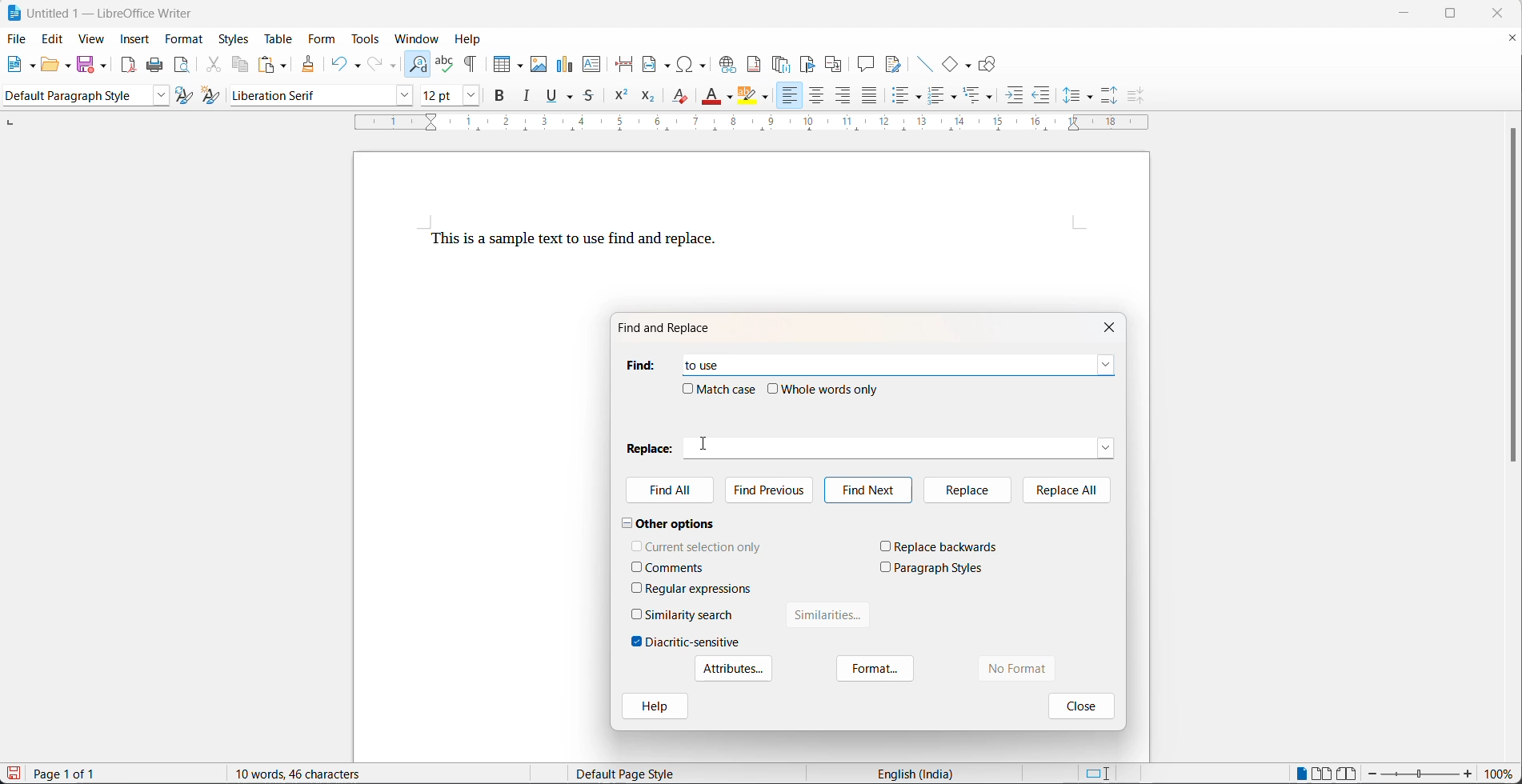 The image size is (1522, 784). Describe the element at coordinates (626, 64) in the screenshot. I see `page break` at that location.